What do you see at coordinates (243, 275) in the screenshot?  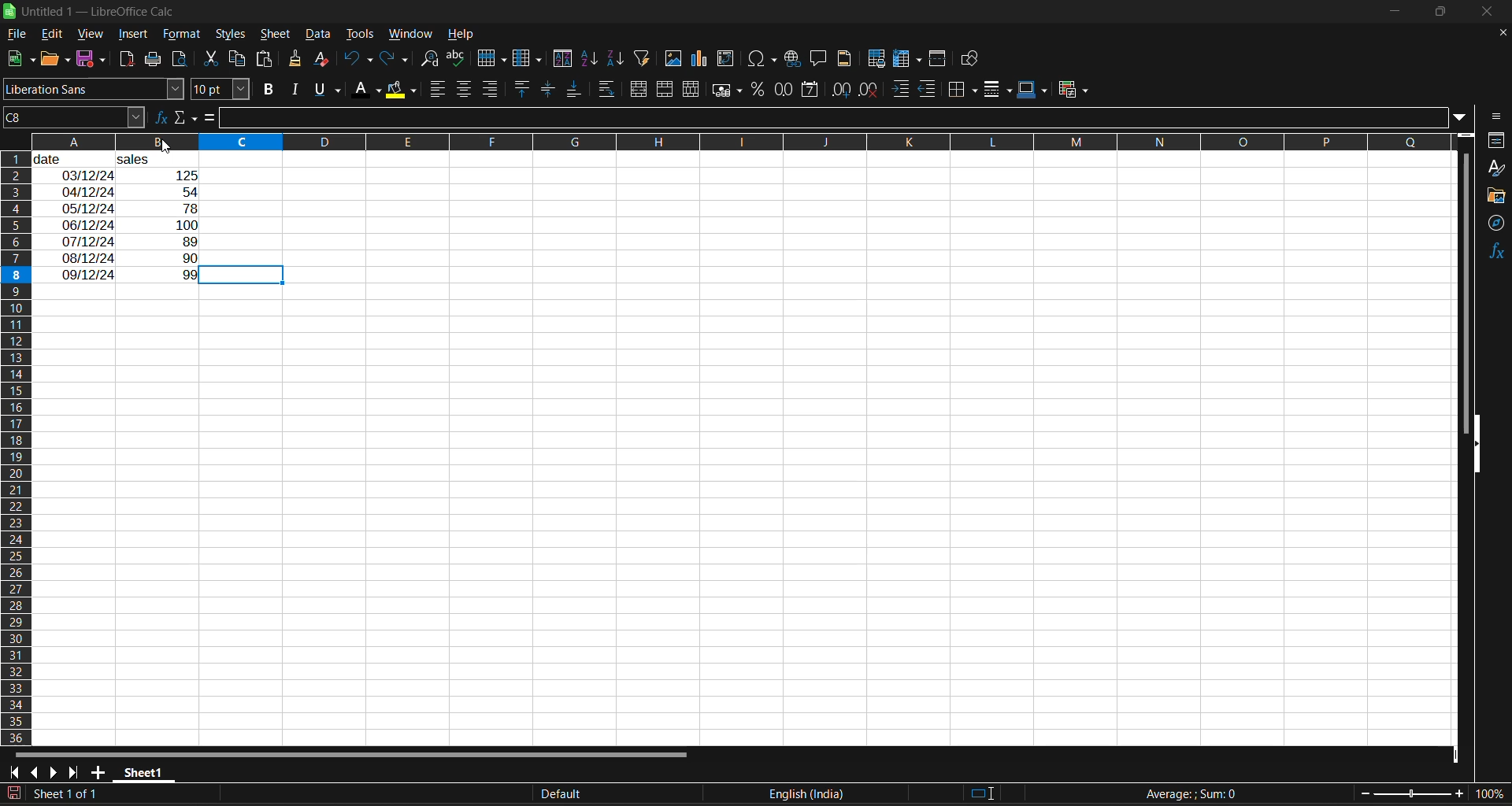 I see `selected cell` at bounding box center [243, 275].